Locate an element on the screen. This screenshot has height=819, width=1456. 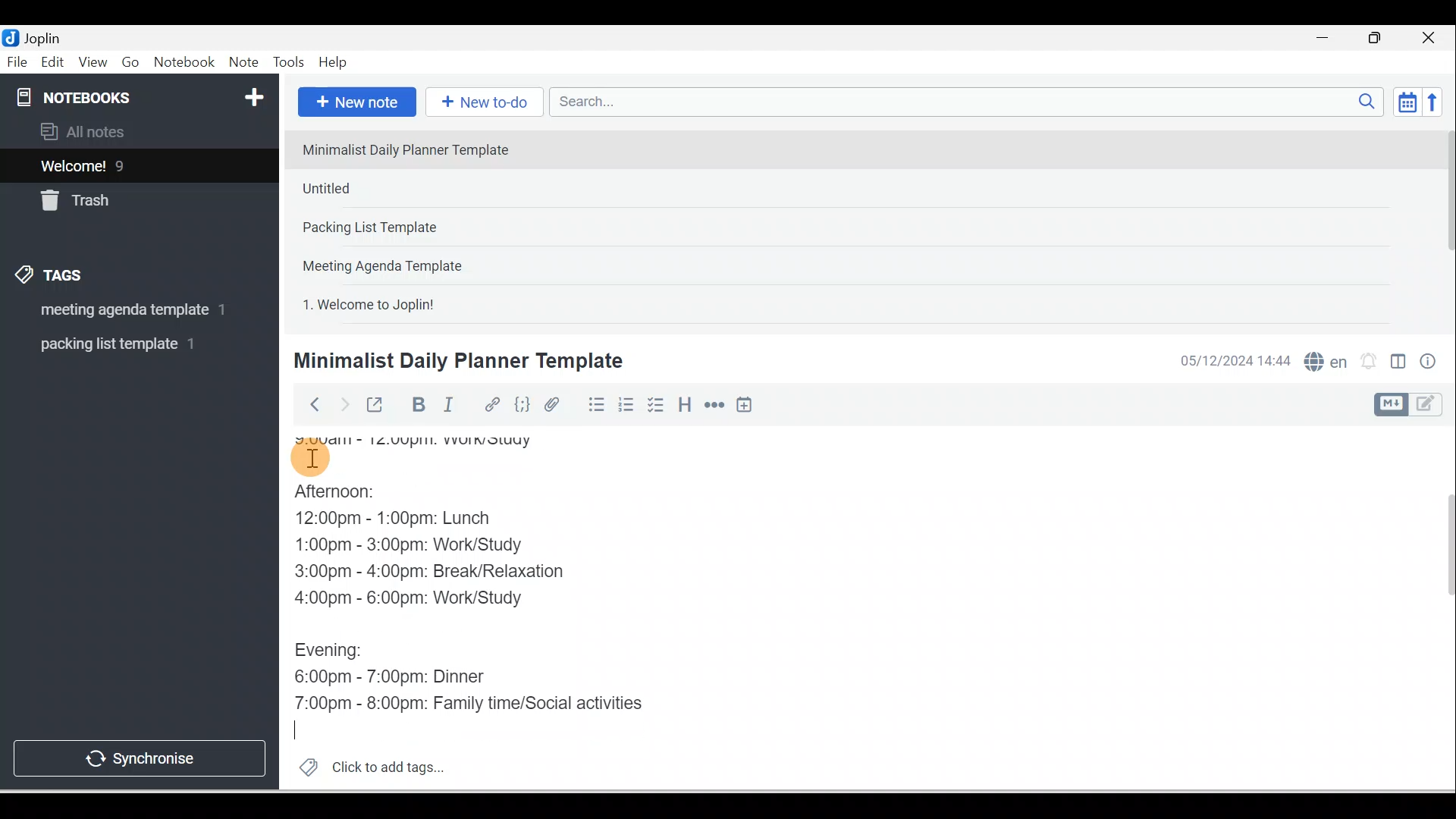
Horizontal rule is located at coordinates (716, 405).